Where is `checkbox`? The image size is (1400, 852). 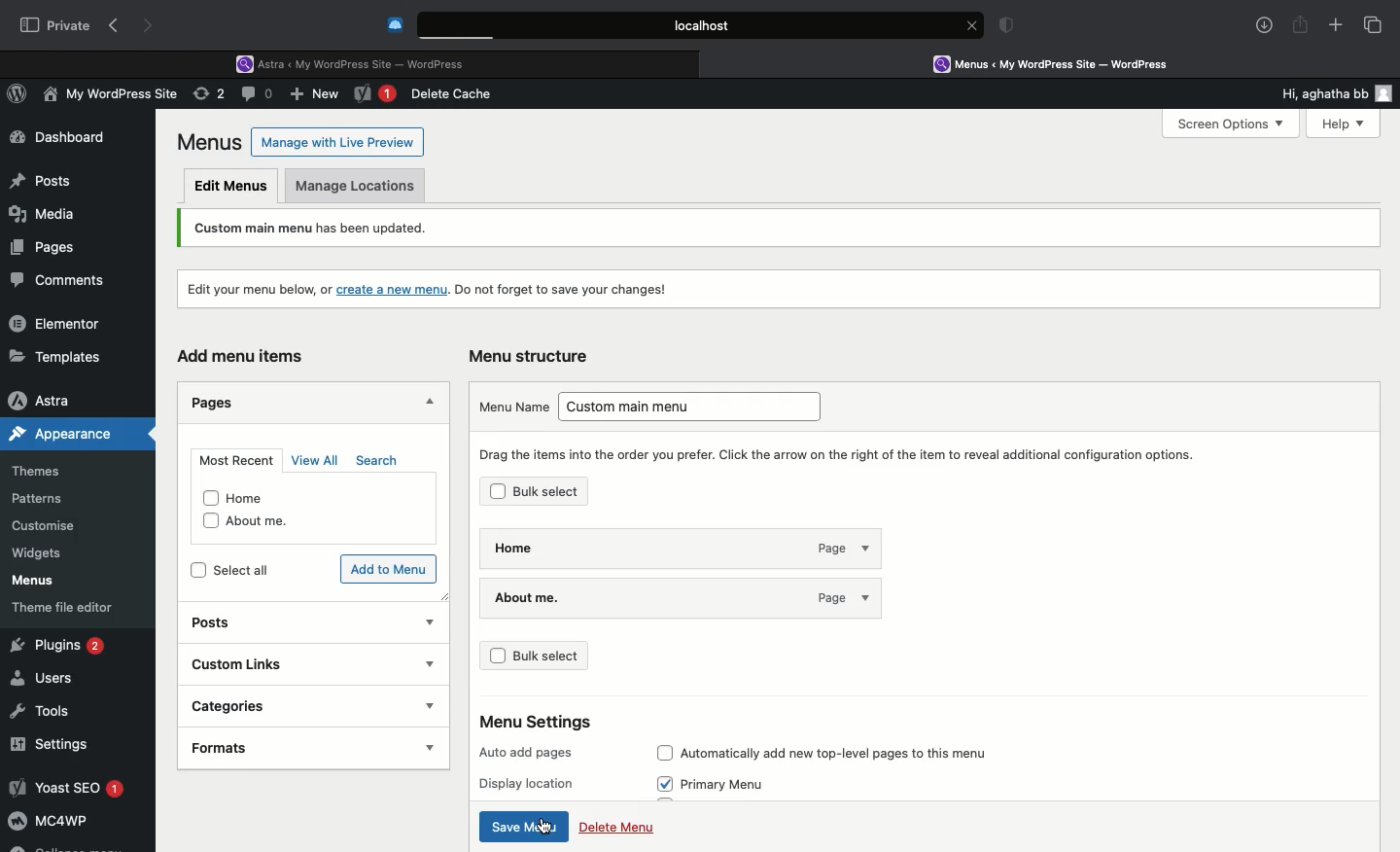
checkbox is located at coordinates (664, 752).